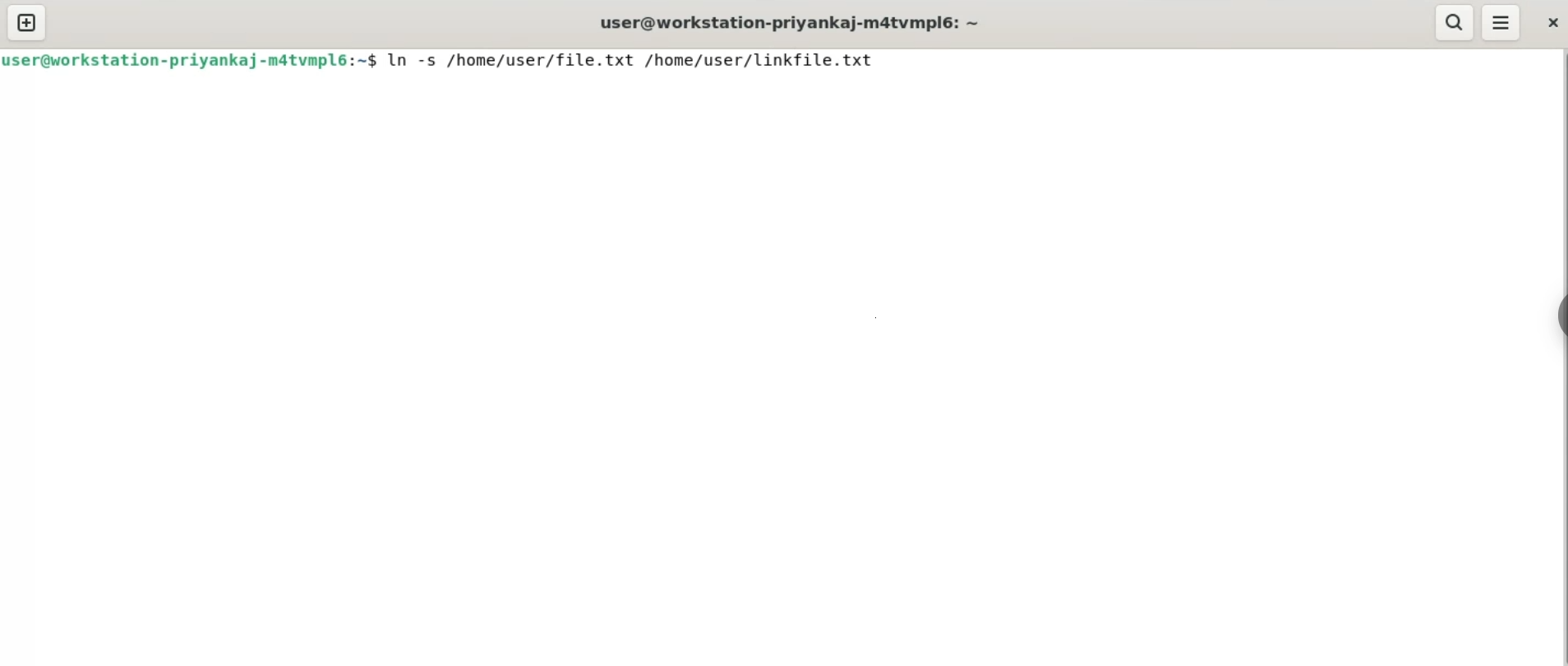  Describe the element at coordinates (786, 22) in the screenshot. I see ` user@workstation-priyanka-m4tvmpl6:~` at that location.